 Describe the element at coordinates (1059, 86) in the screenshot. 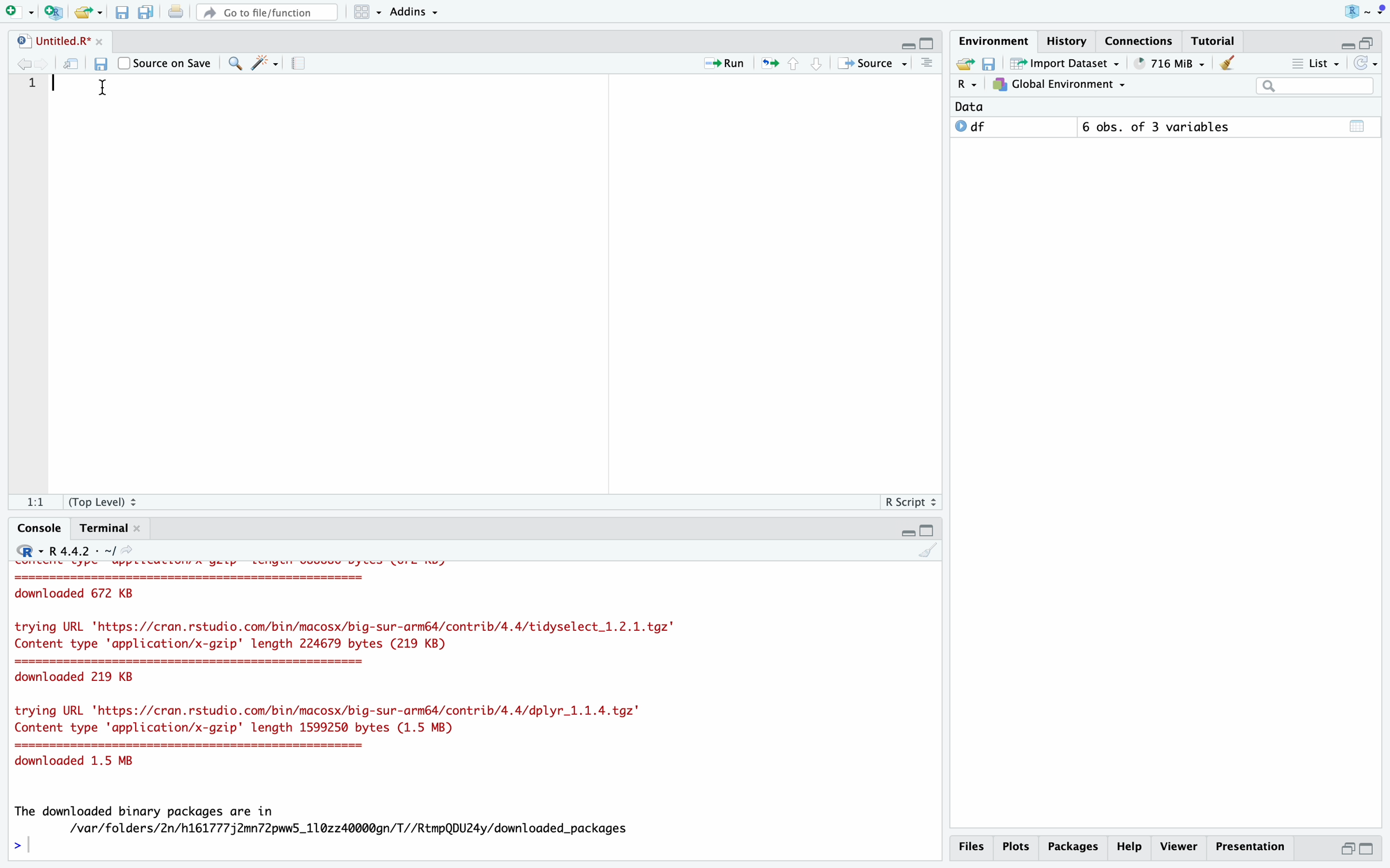

I see `Global Environment` at that location.